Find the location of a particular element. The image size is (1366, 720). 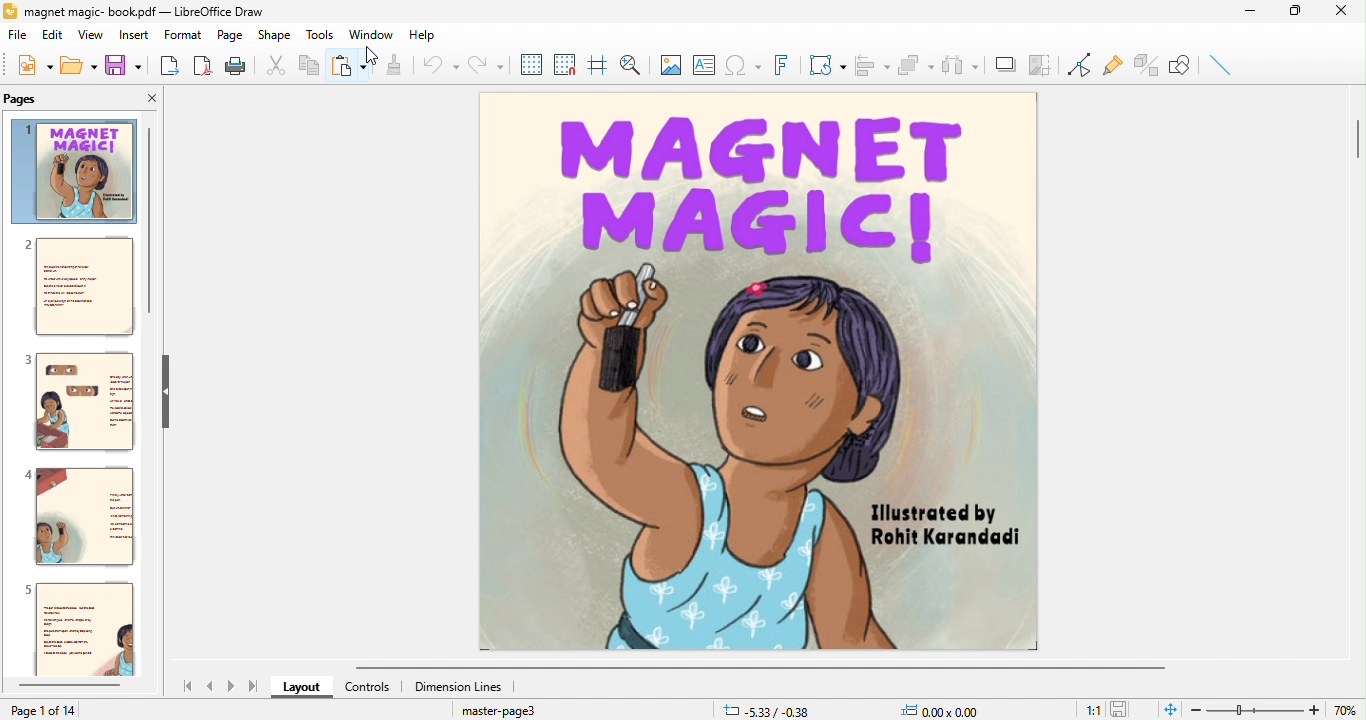

cursor movement is located at coordinates (365, 54).